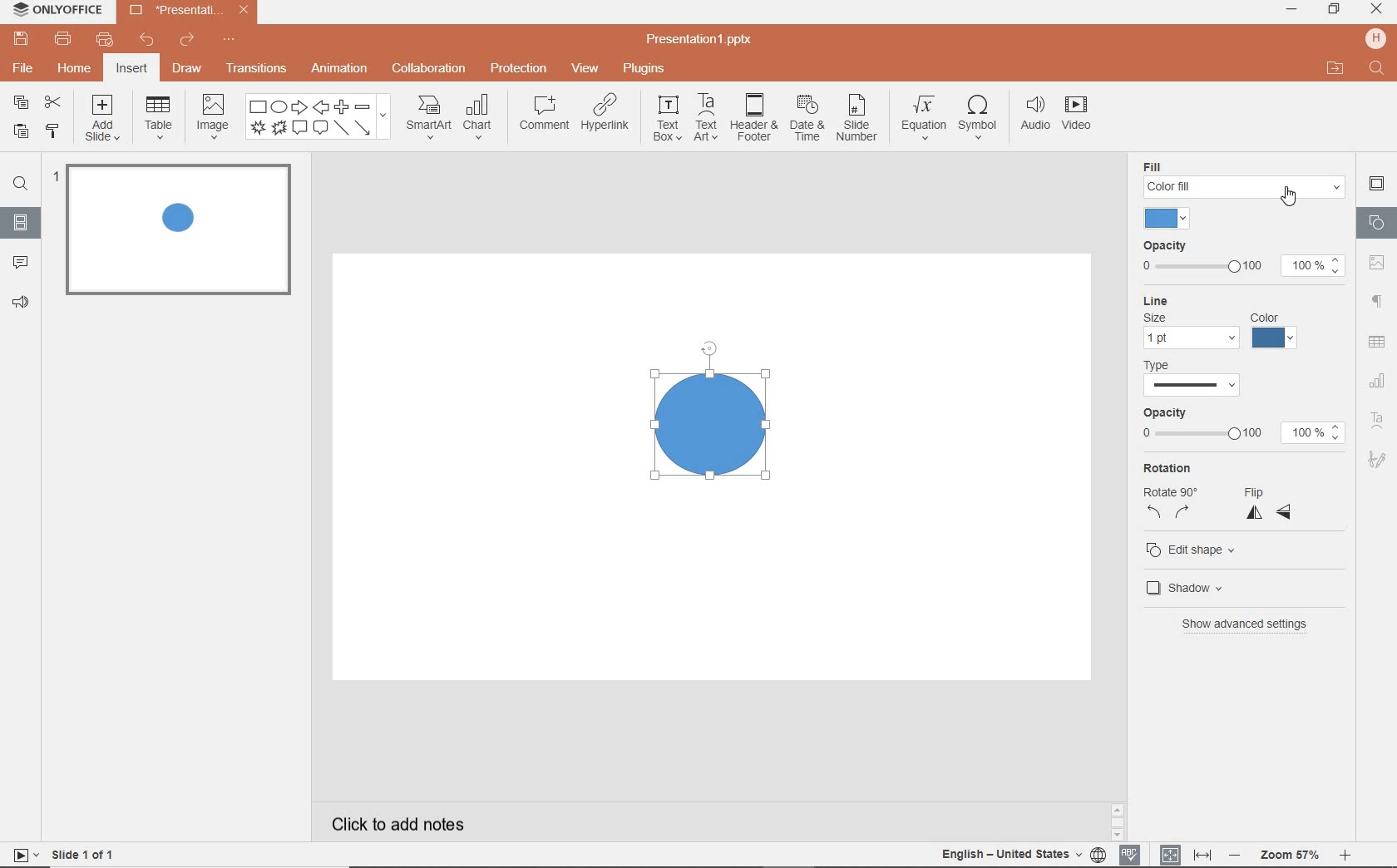  Describe the element at coordinates (428, 118) in the screenshot. I see `smart art` at that location.